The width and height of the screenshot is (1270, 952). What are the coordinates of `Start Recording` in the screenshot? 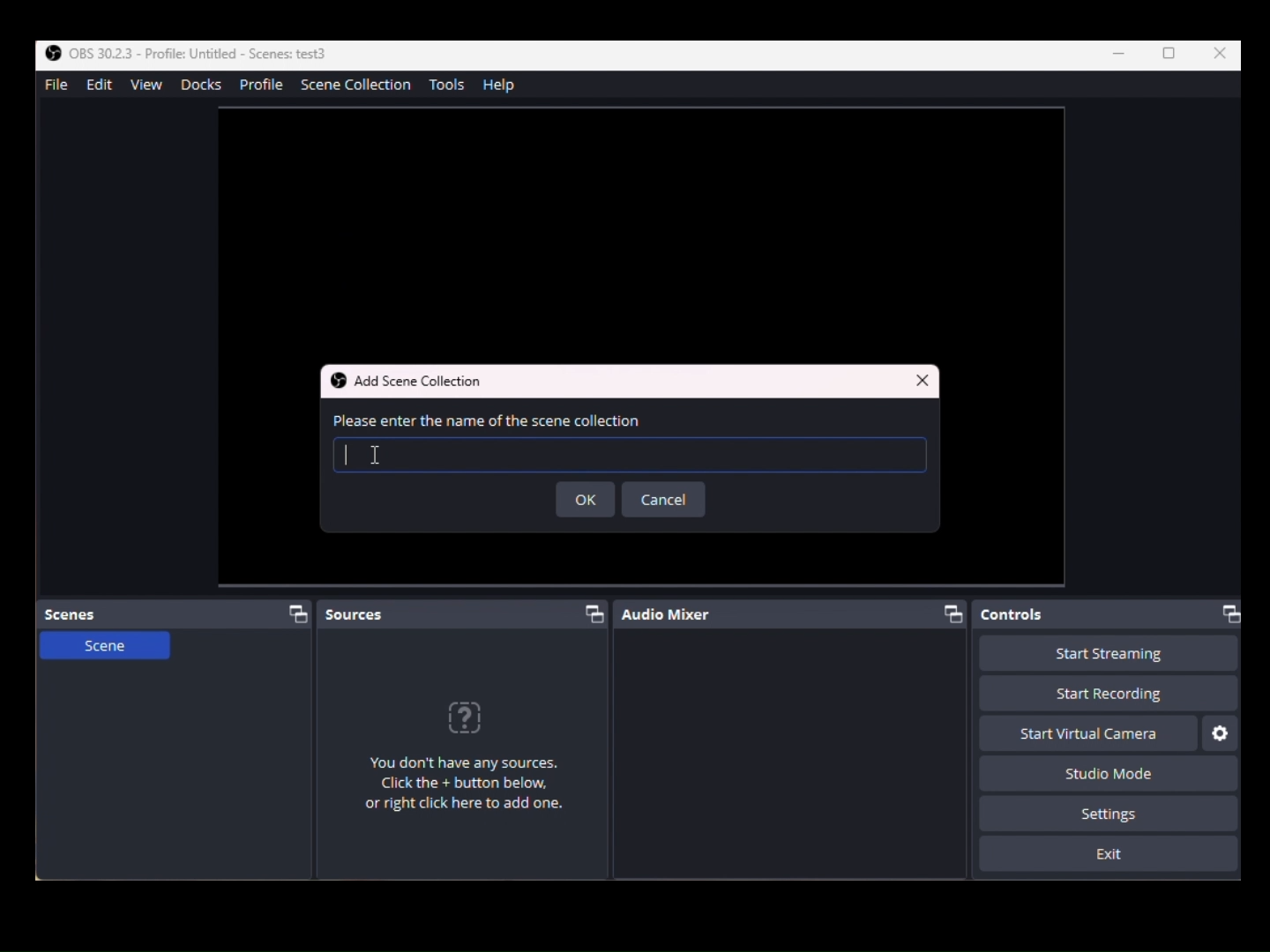 It's located at (1107, 695).